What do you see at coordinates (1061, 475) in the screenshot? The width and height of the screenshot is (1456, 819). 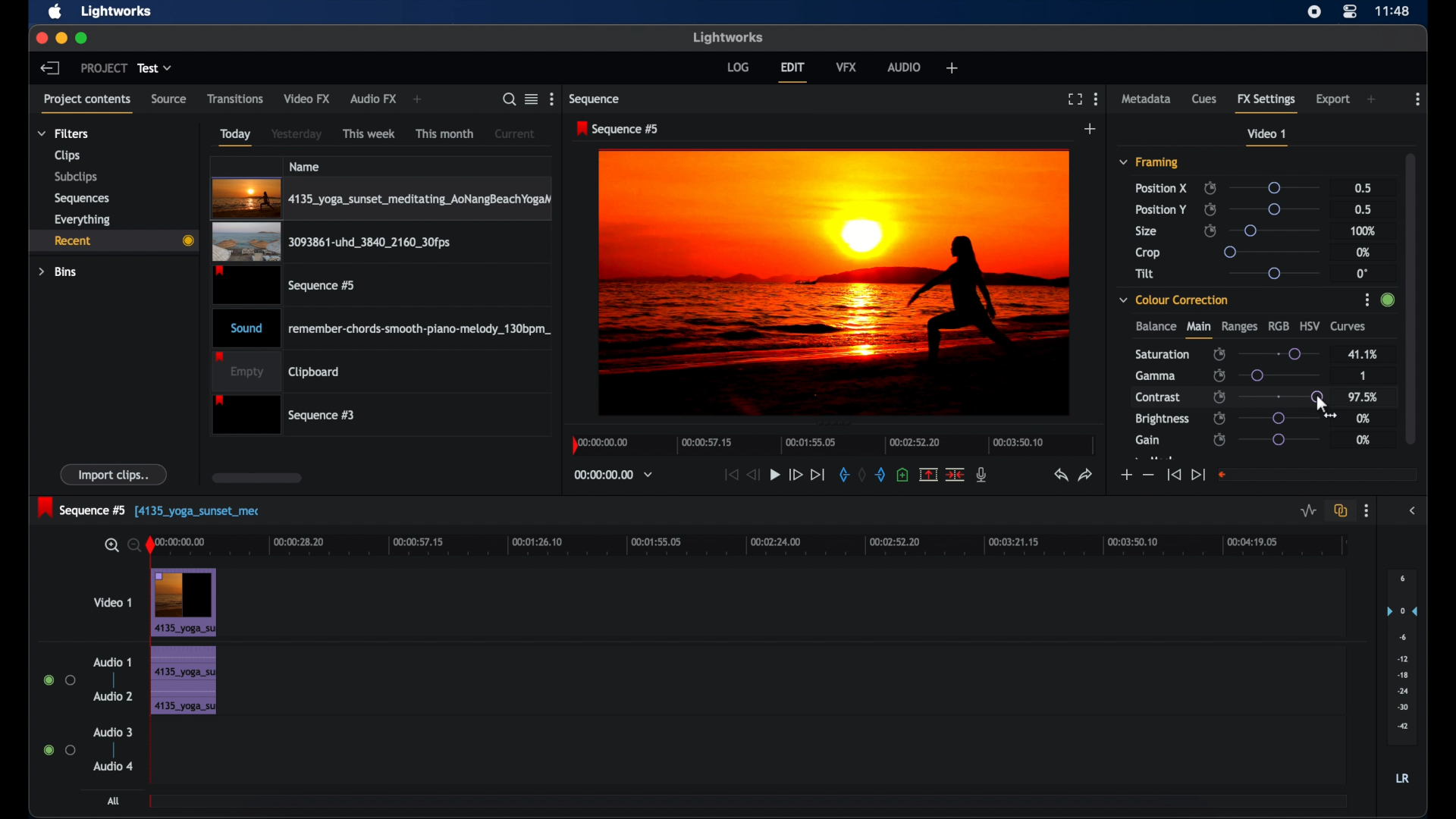 I see `undo` at bounding box center [1061, 475].